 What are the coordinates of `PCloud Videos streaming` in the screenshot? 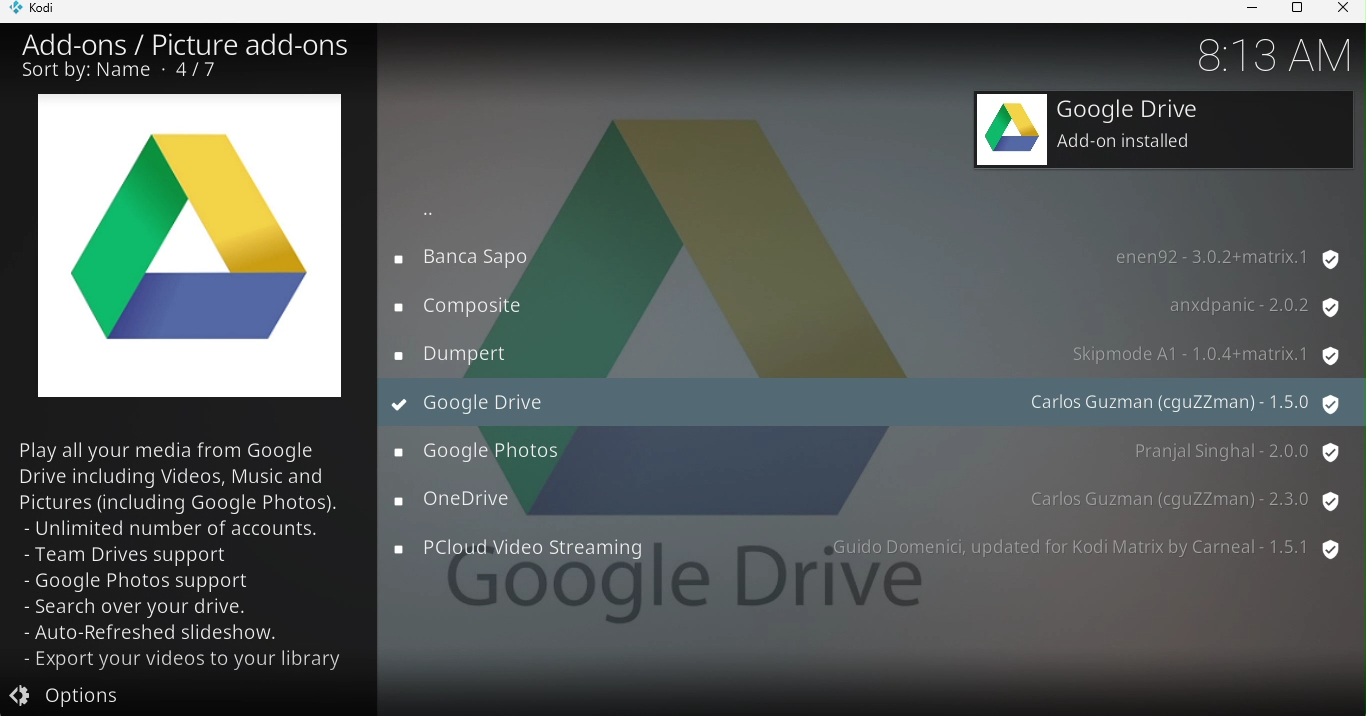 It's located at (869, 553).